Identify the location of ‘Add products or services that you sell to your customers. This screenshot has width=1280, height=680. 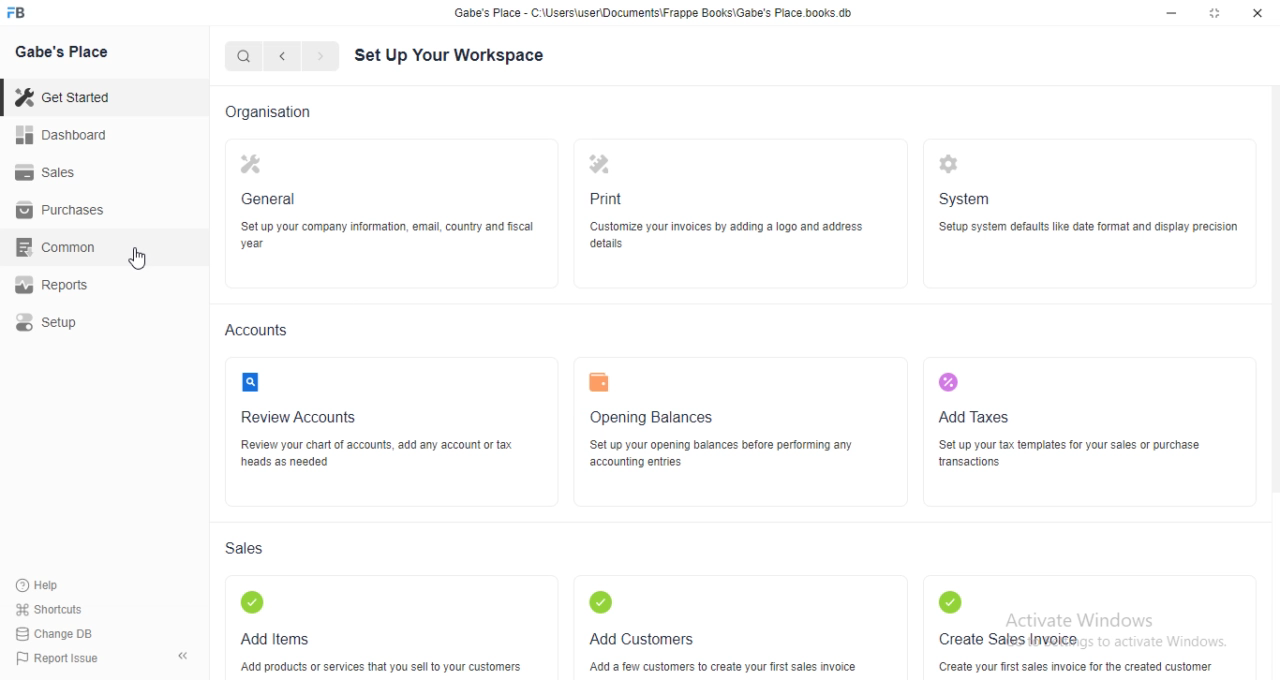
(383, 668).